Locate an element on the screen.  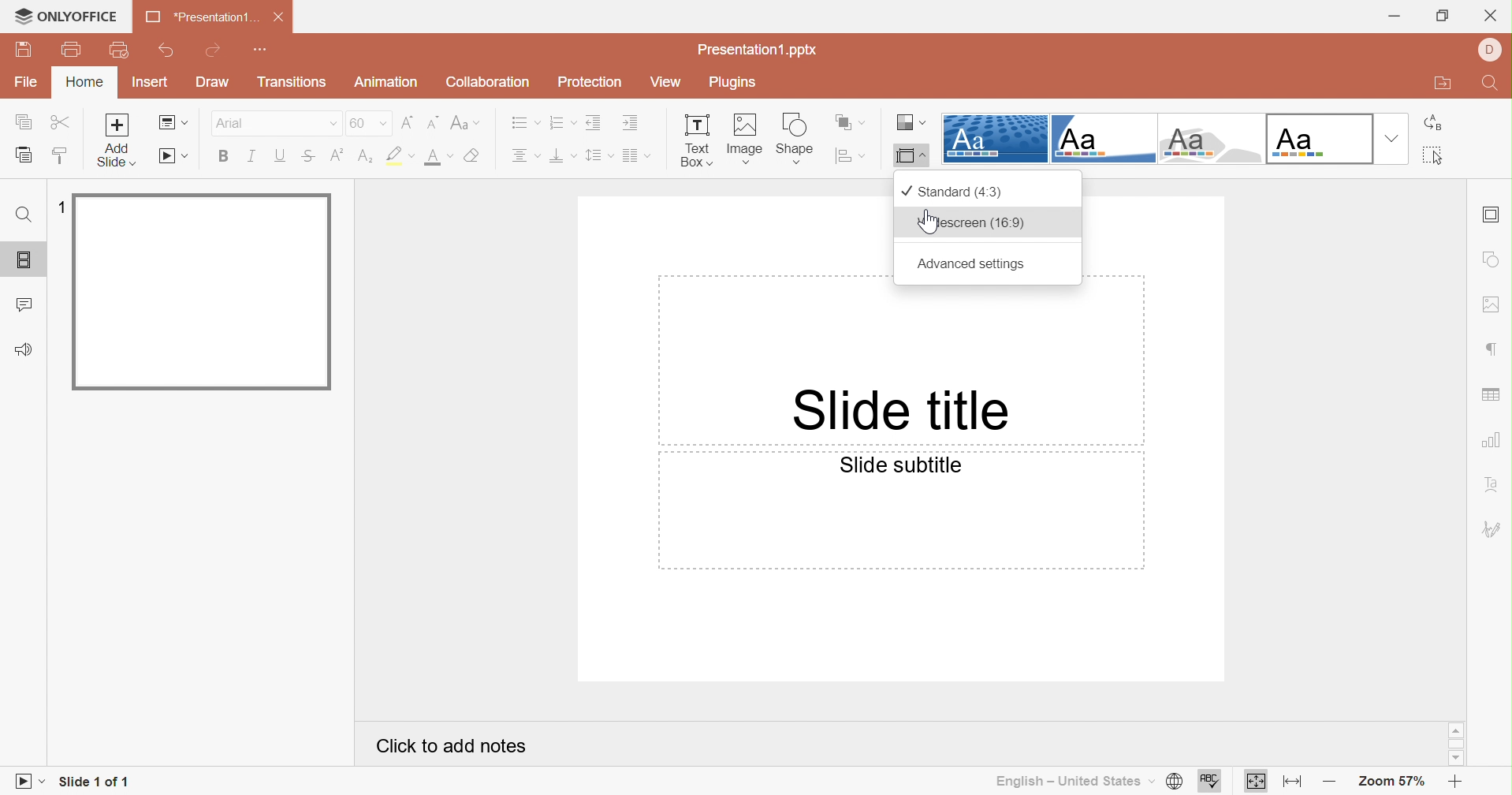
Open file location is located at coordinates (1446, 84).